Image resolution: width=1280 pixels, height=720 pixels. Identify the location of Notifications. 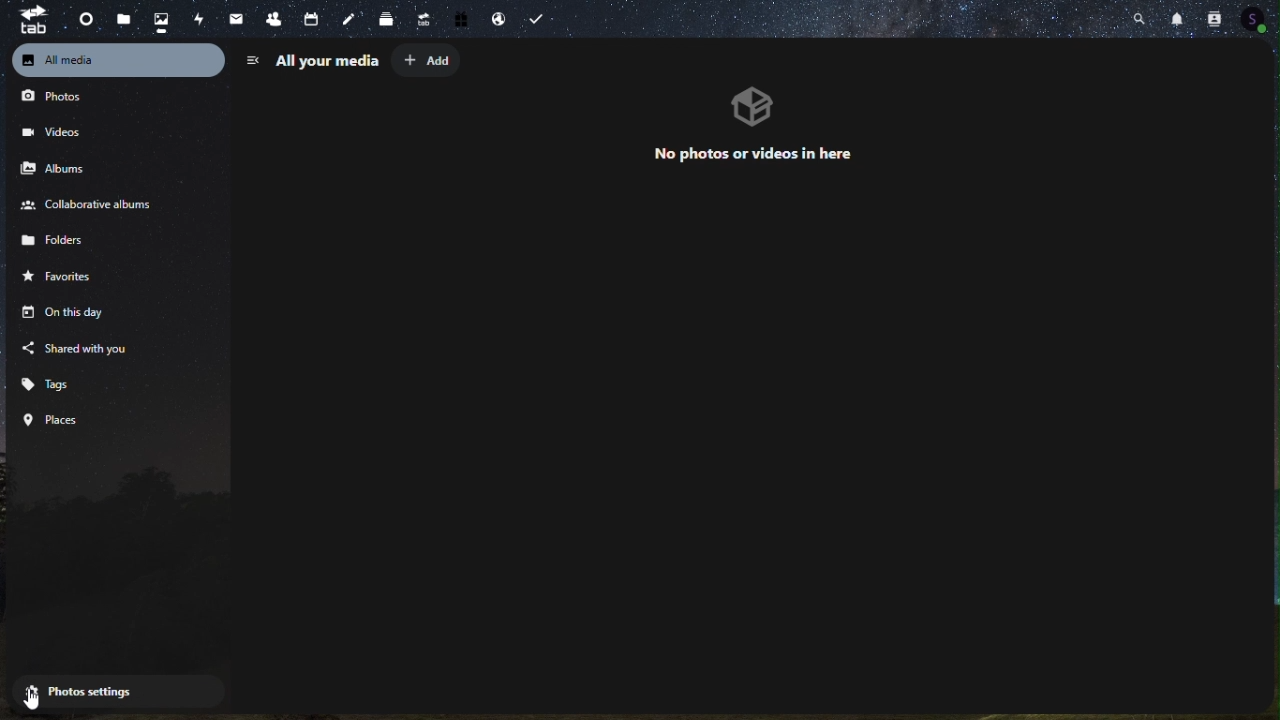
(1179, 16).